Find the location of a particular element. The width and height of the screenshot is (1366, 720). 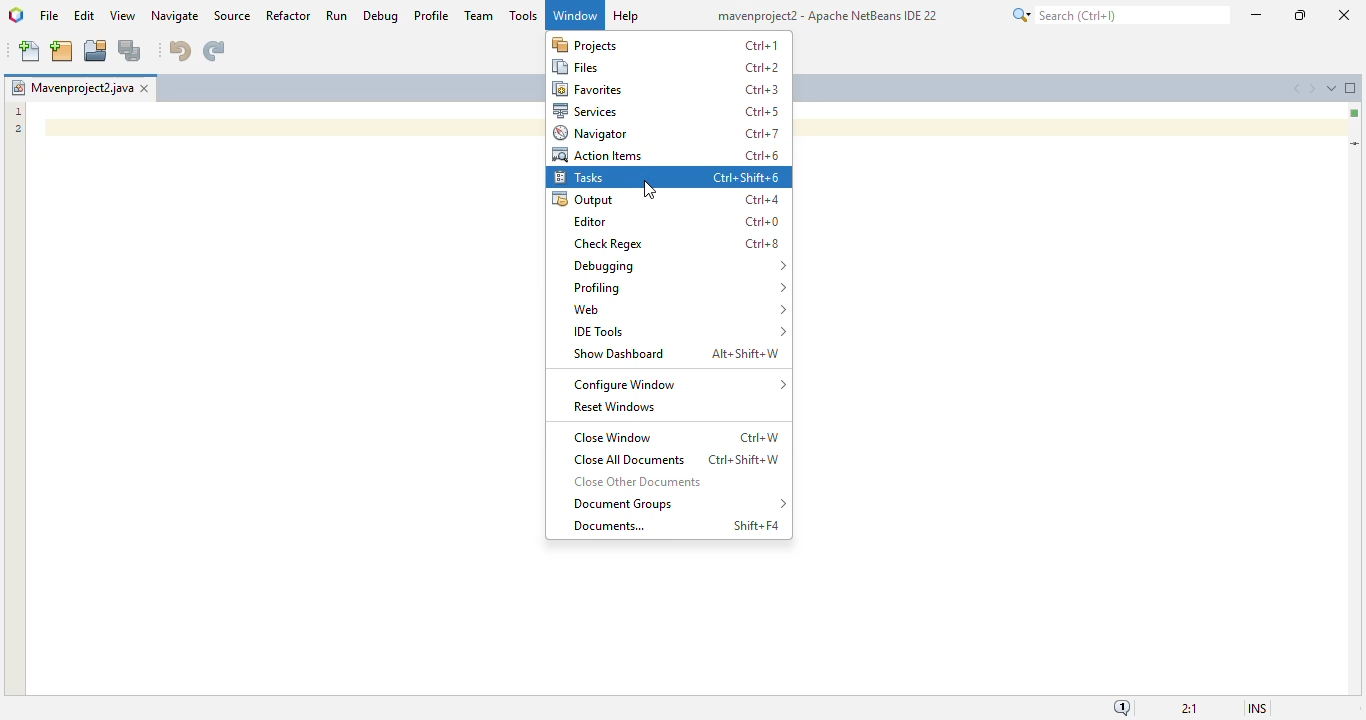

undo is located at coordinates (181, 51).